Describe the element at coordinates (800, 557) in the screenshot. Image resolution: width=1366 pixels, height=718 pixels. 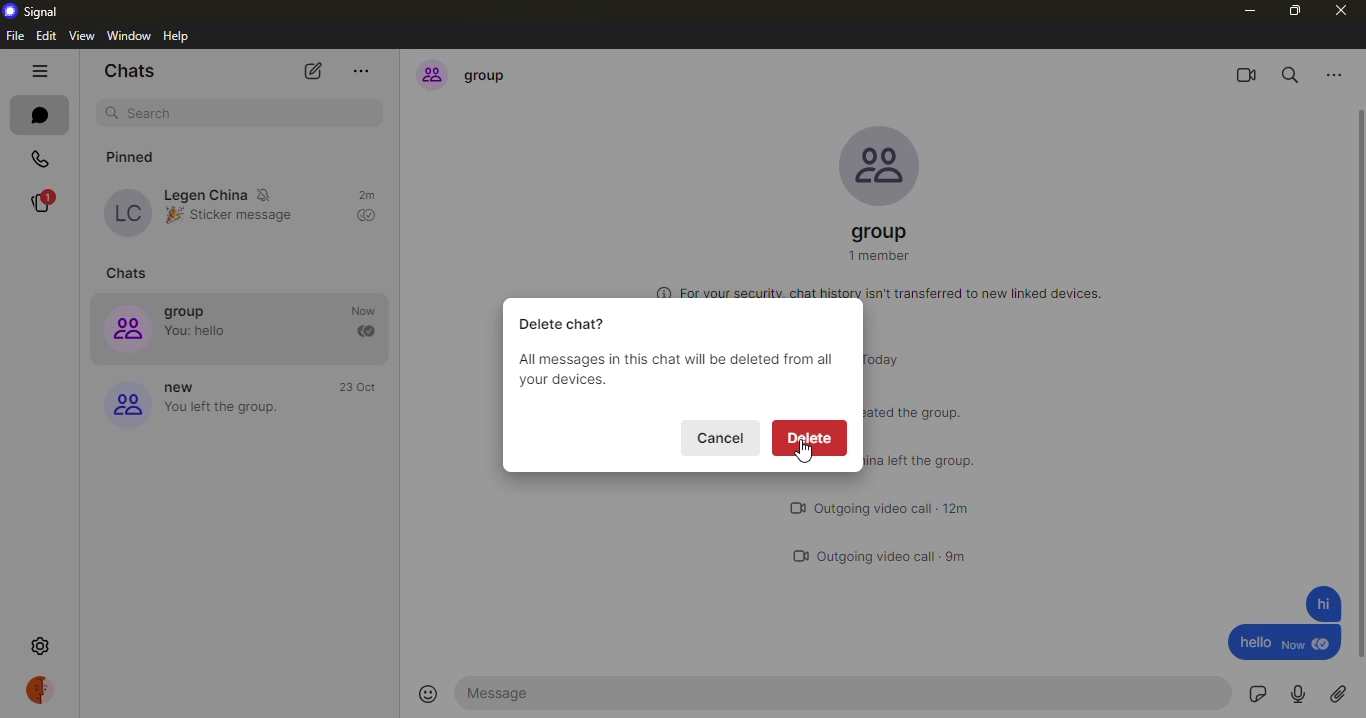
I see `video call logo` at that location.